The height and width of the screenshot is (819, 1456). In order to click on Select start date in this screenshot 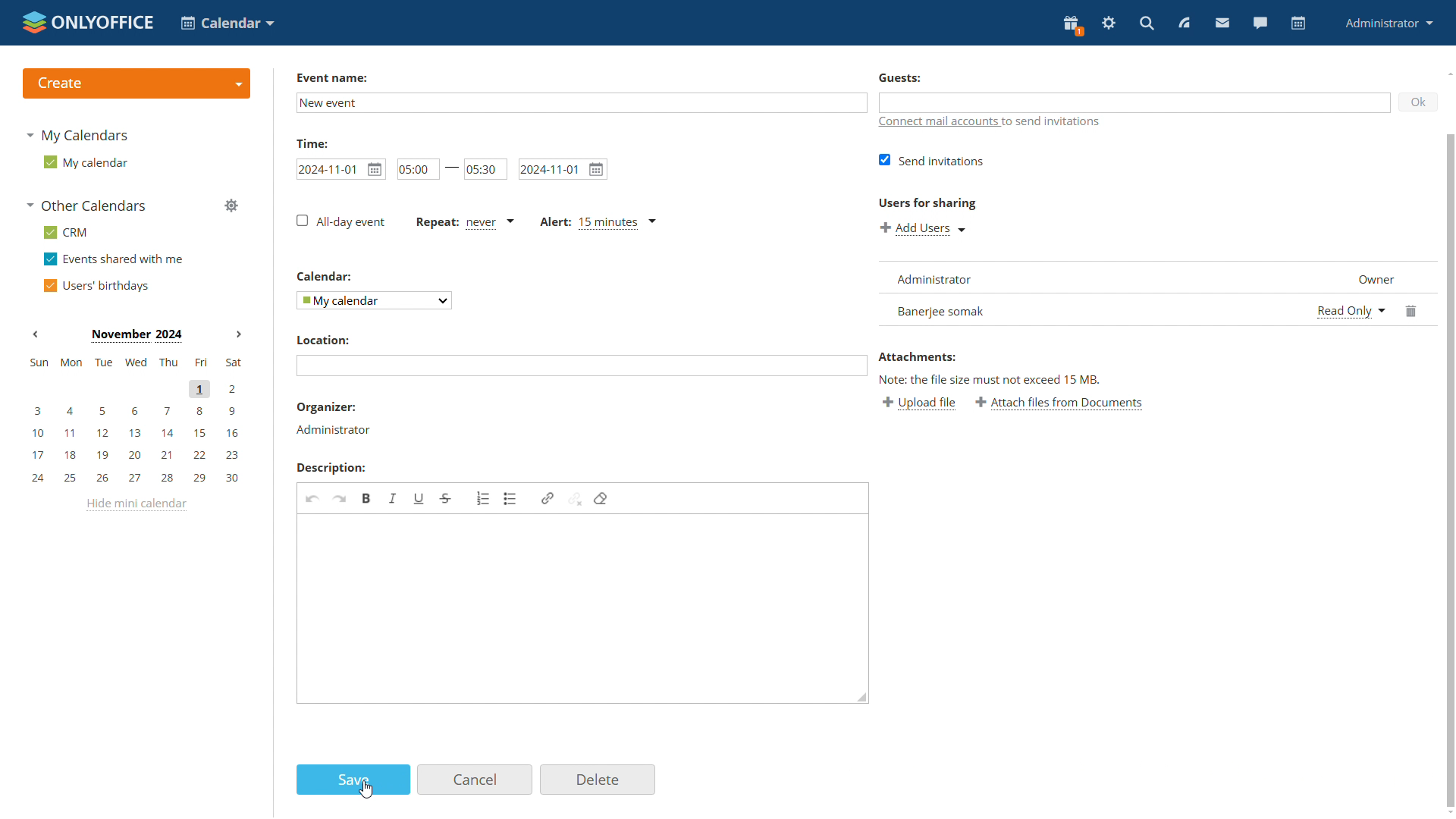, I will do `click(340, 168)`.